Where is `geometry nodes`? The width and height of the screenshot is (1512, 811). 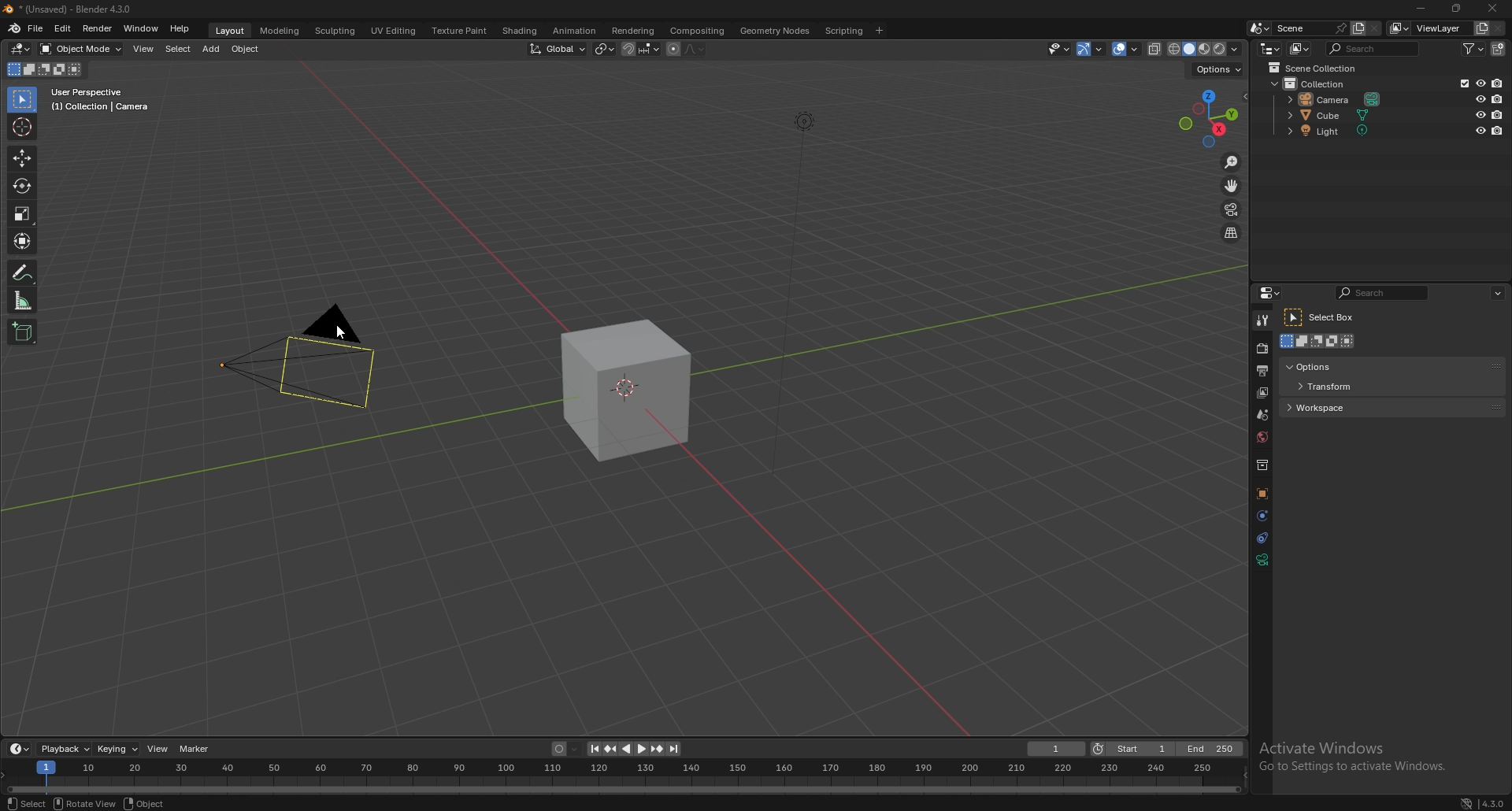 geometry nodes is located at coordinates (773, 30).